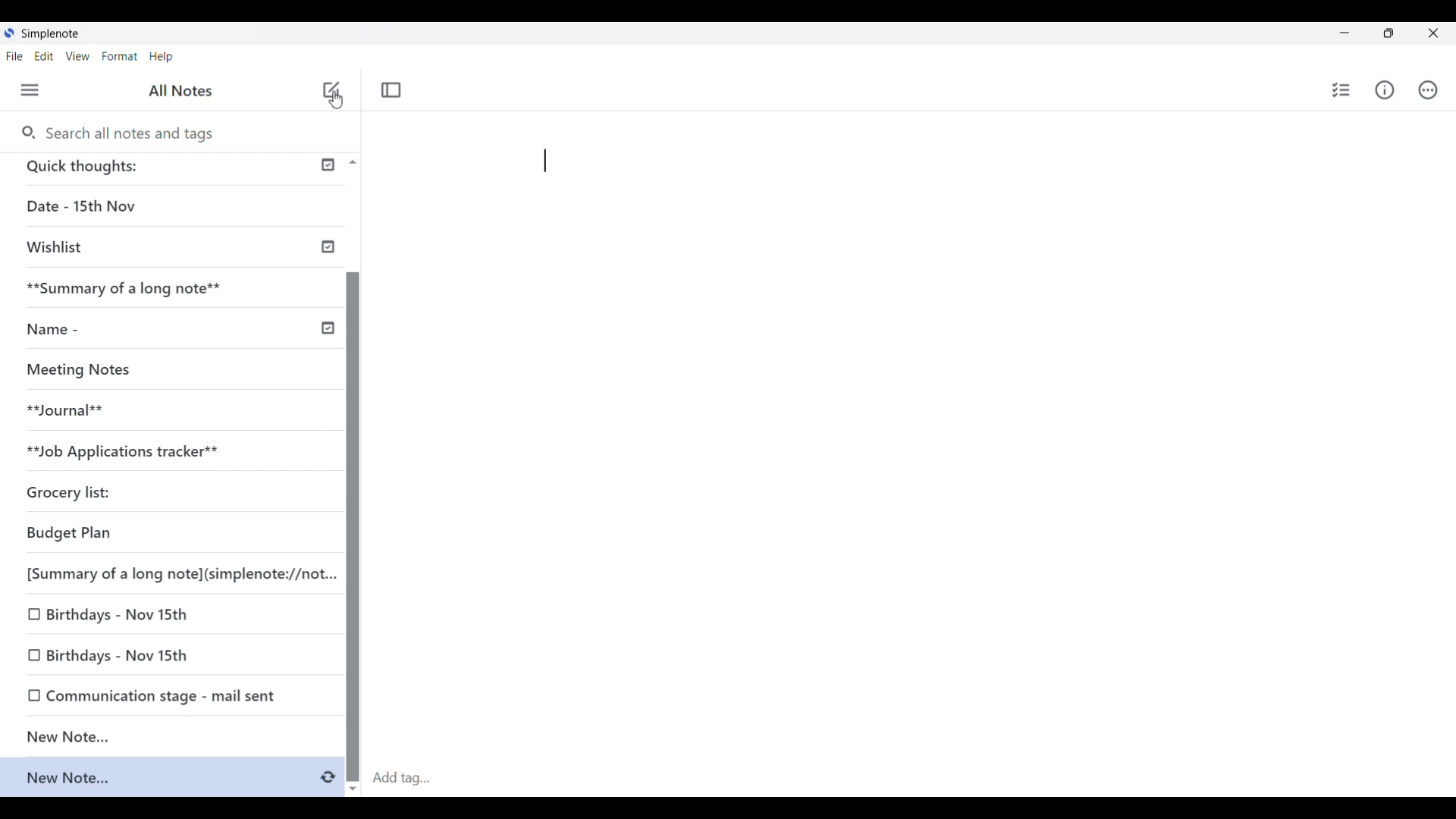  I want to click on **Job Applications tracker**, so click(164, 454).